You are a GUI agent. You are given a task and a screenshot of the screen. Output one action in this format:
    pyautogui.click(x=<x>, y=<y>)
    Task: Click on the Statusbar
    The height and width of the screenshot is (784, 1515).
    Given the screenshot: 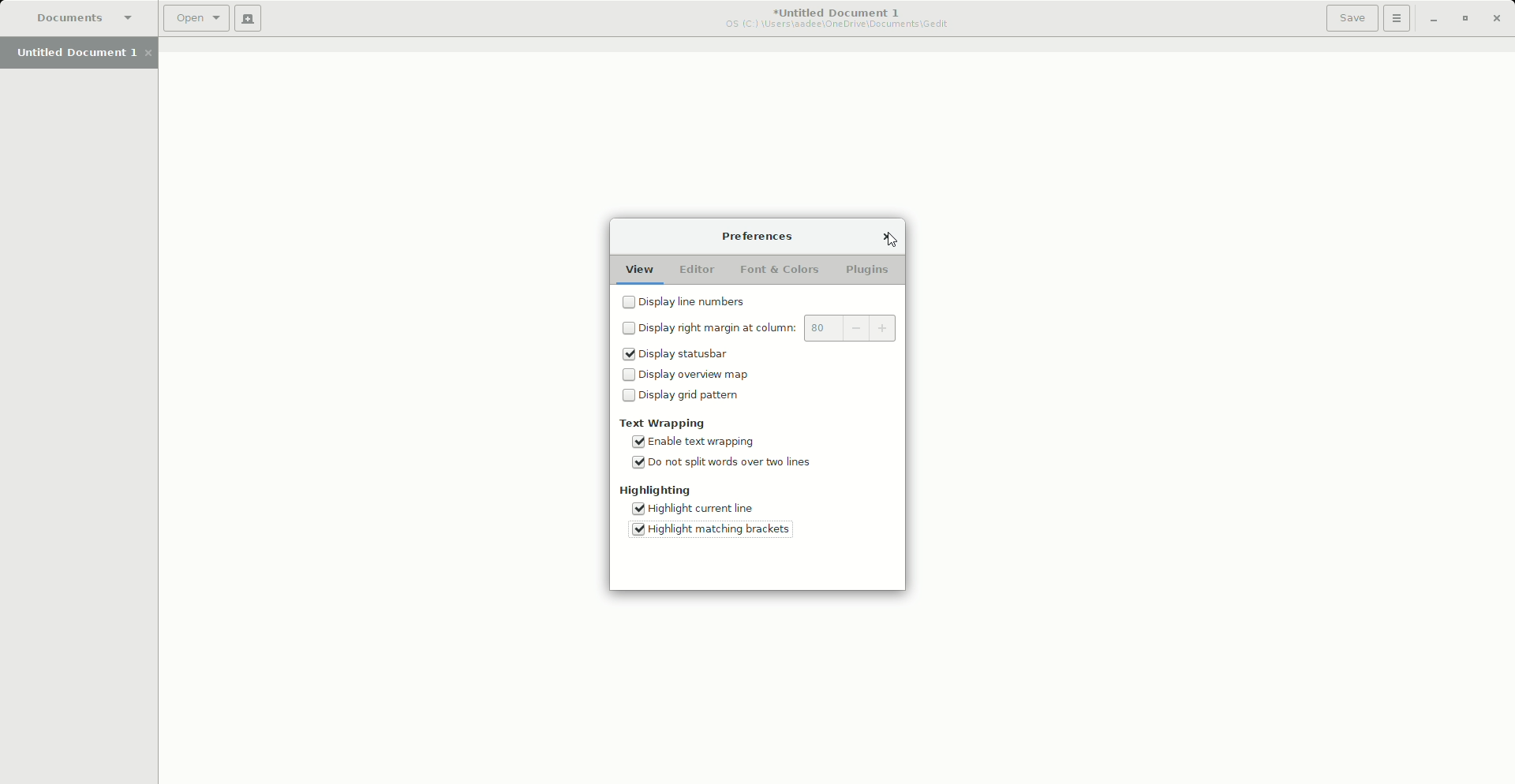 What is the action you would take?
    pyautogui.click(x=681, y=353)
    